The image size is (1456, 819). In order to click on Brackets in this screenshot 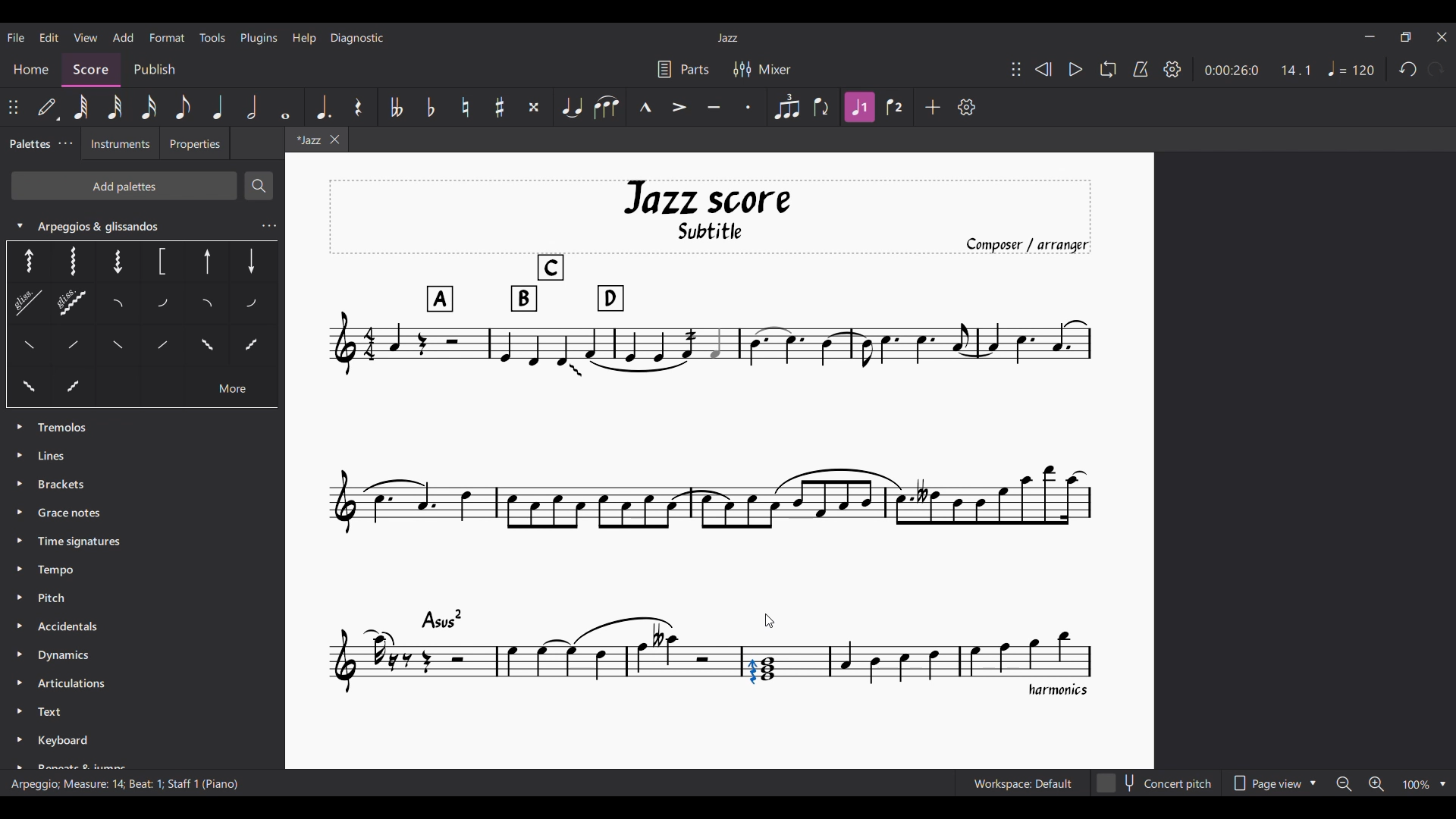, I will do `click(63, 485)`.